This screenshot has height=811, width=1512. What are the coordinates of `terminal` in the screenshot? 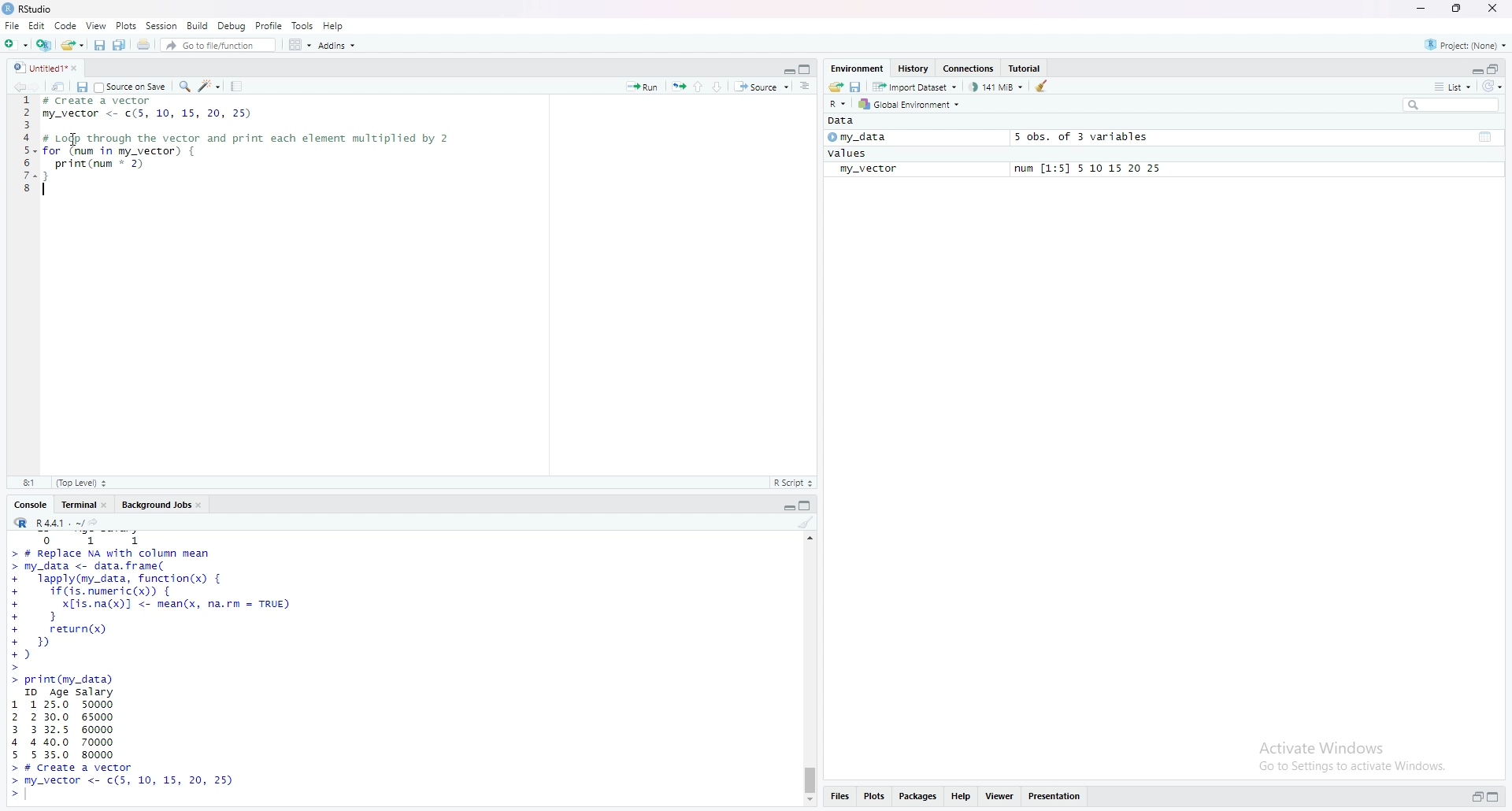 It's located at (82, 505).